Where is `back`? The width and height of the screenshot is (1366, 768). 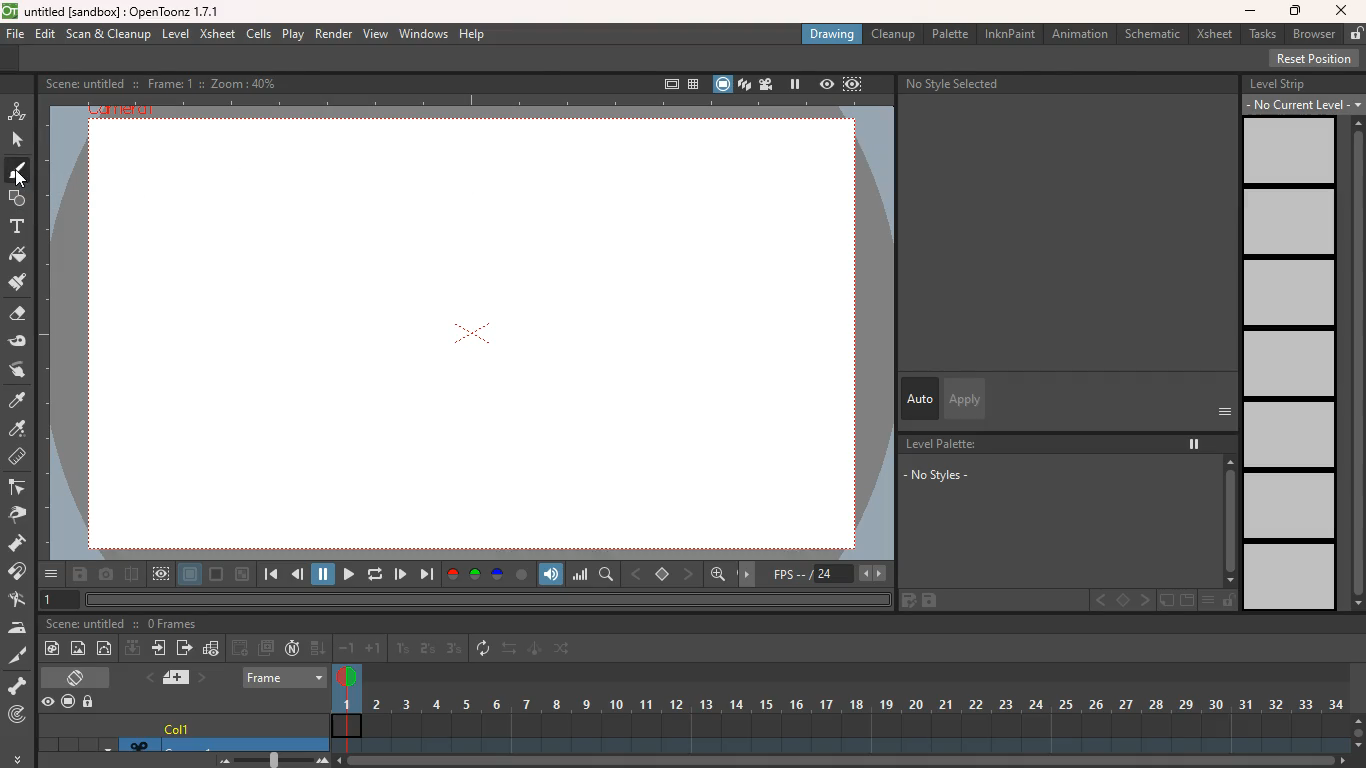 back is located at coordinates (299, 576).